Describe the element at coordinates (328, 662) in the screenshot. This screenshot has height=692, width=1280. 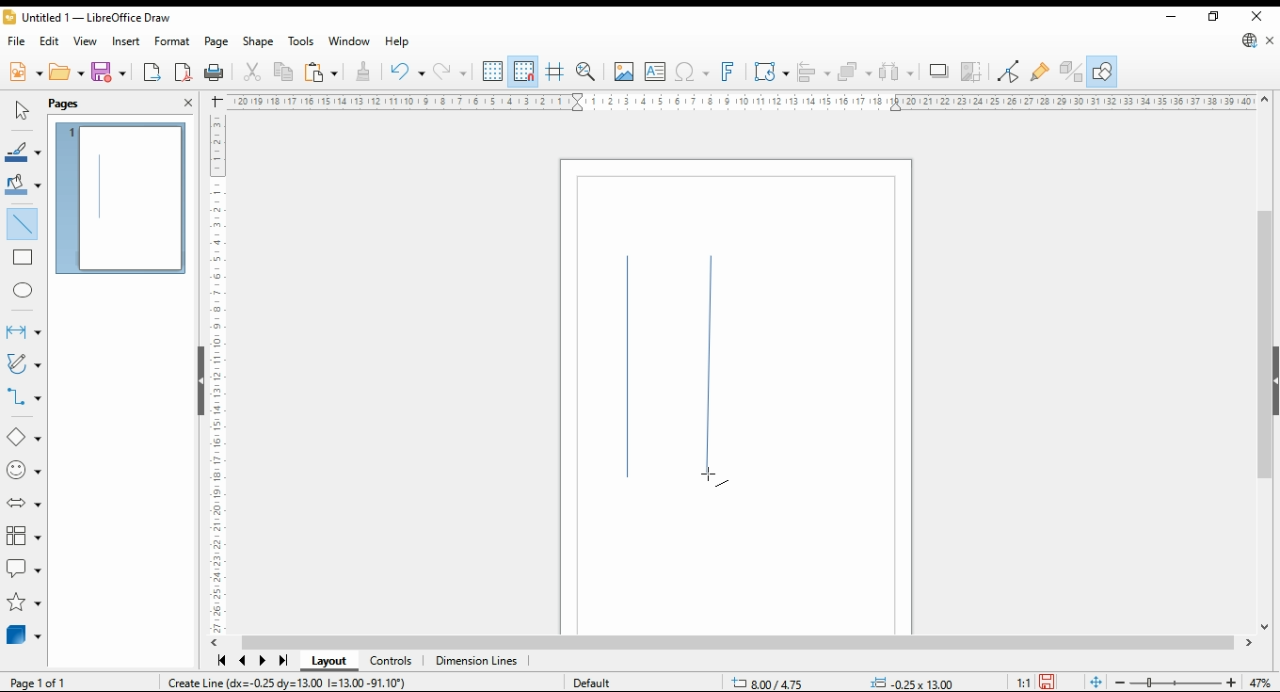
I see `layout` at that location.